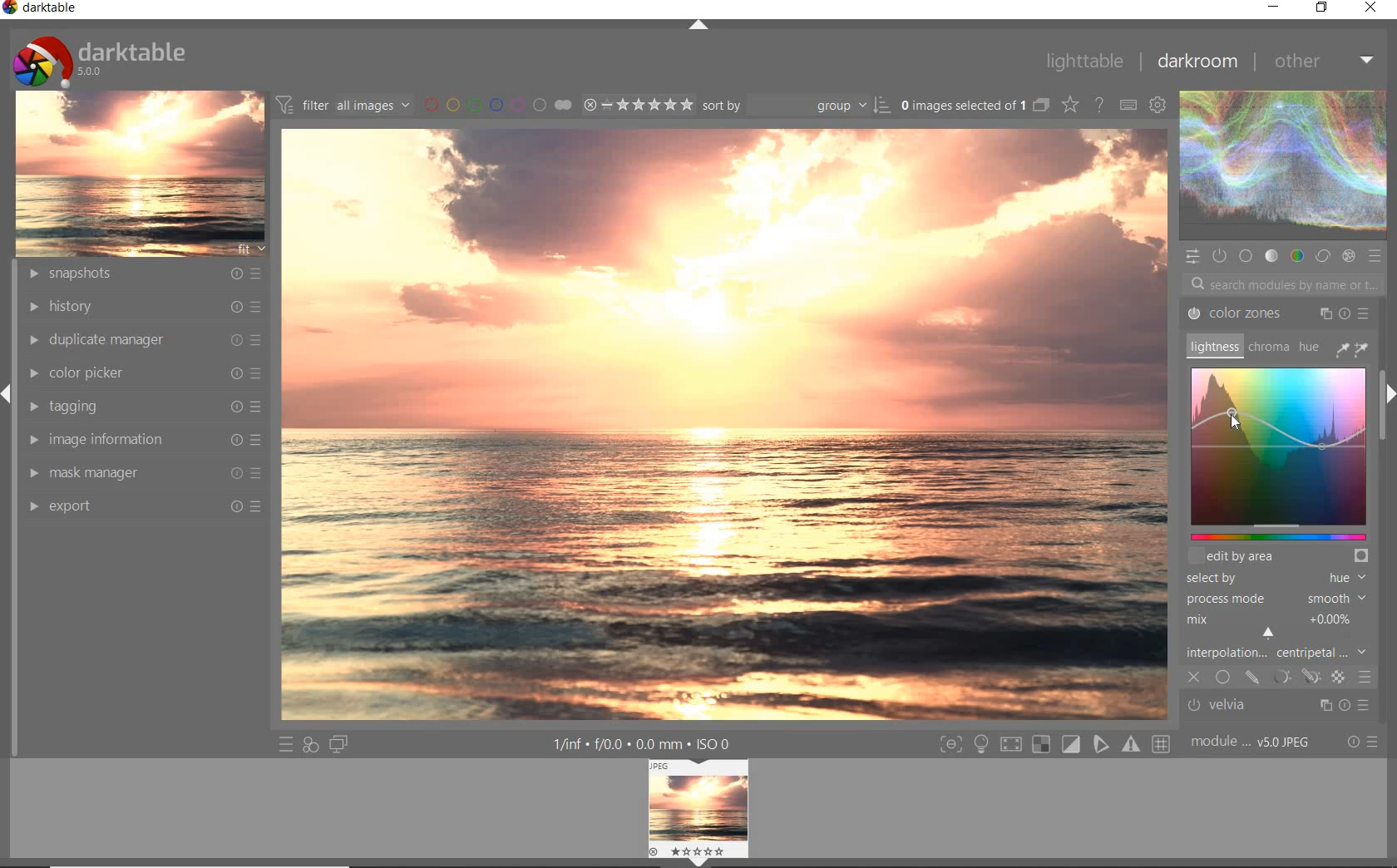 This screenshot has width=1397, height=868. I want to click on restore, so click(1321, 8).